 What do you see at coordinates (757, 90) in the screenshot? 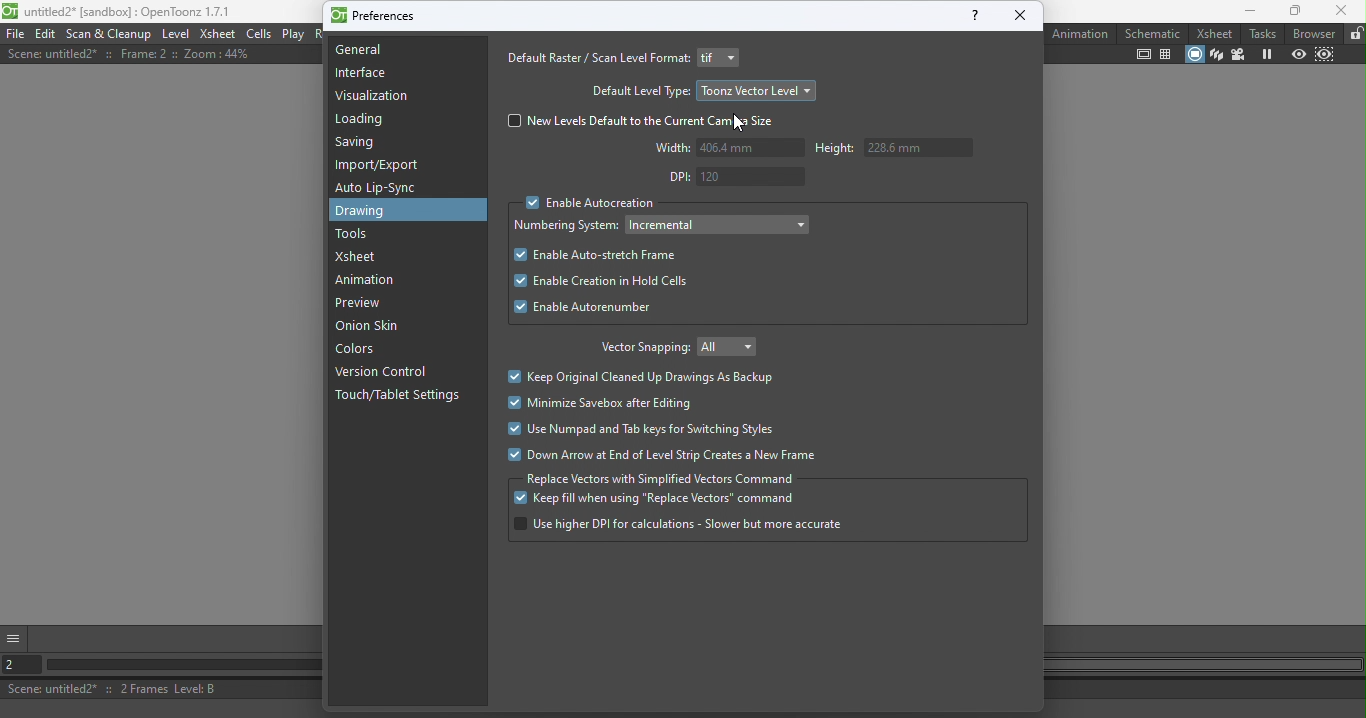
I see `Toonz vector level` at bounding box center [757, 90].